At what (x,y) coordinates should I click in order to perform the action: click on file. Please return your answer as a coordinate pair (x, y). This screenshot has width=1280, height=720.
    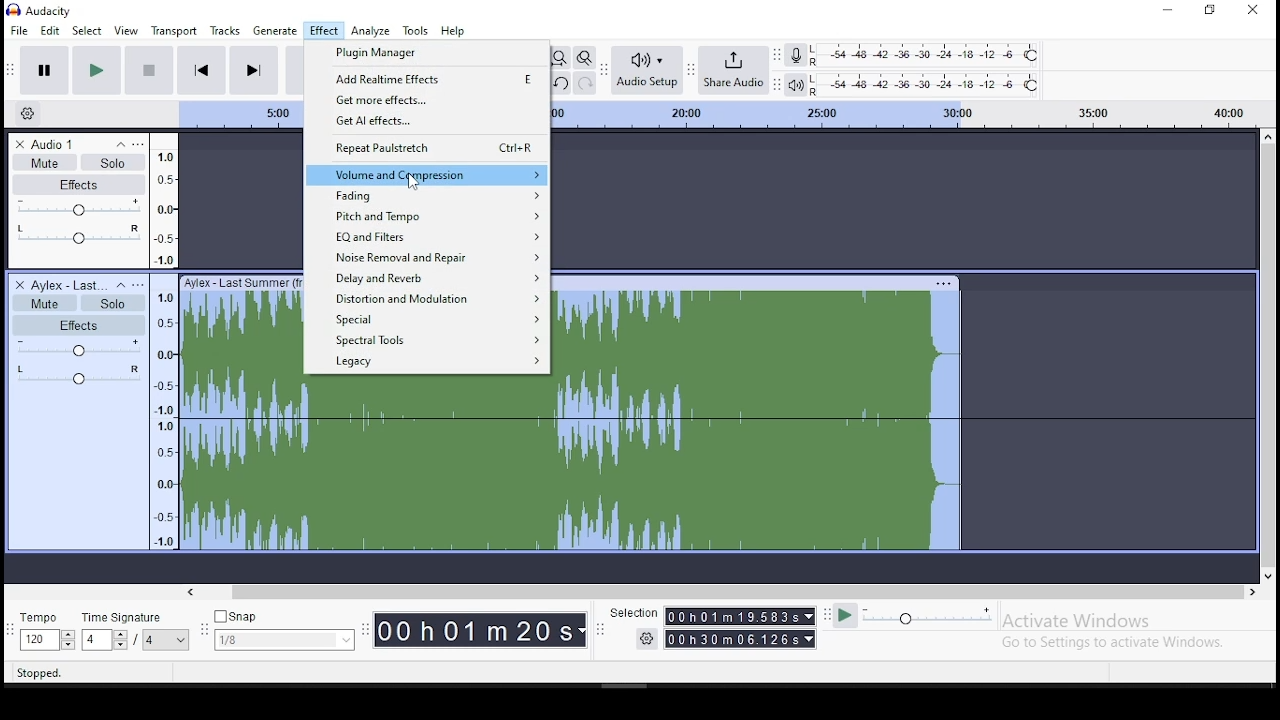
    Looking at the image, I should click on (16, 30).